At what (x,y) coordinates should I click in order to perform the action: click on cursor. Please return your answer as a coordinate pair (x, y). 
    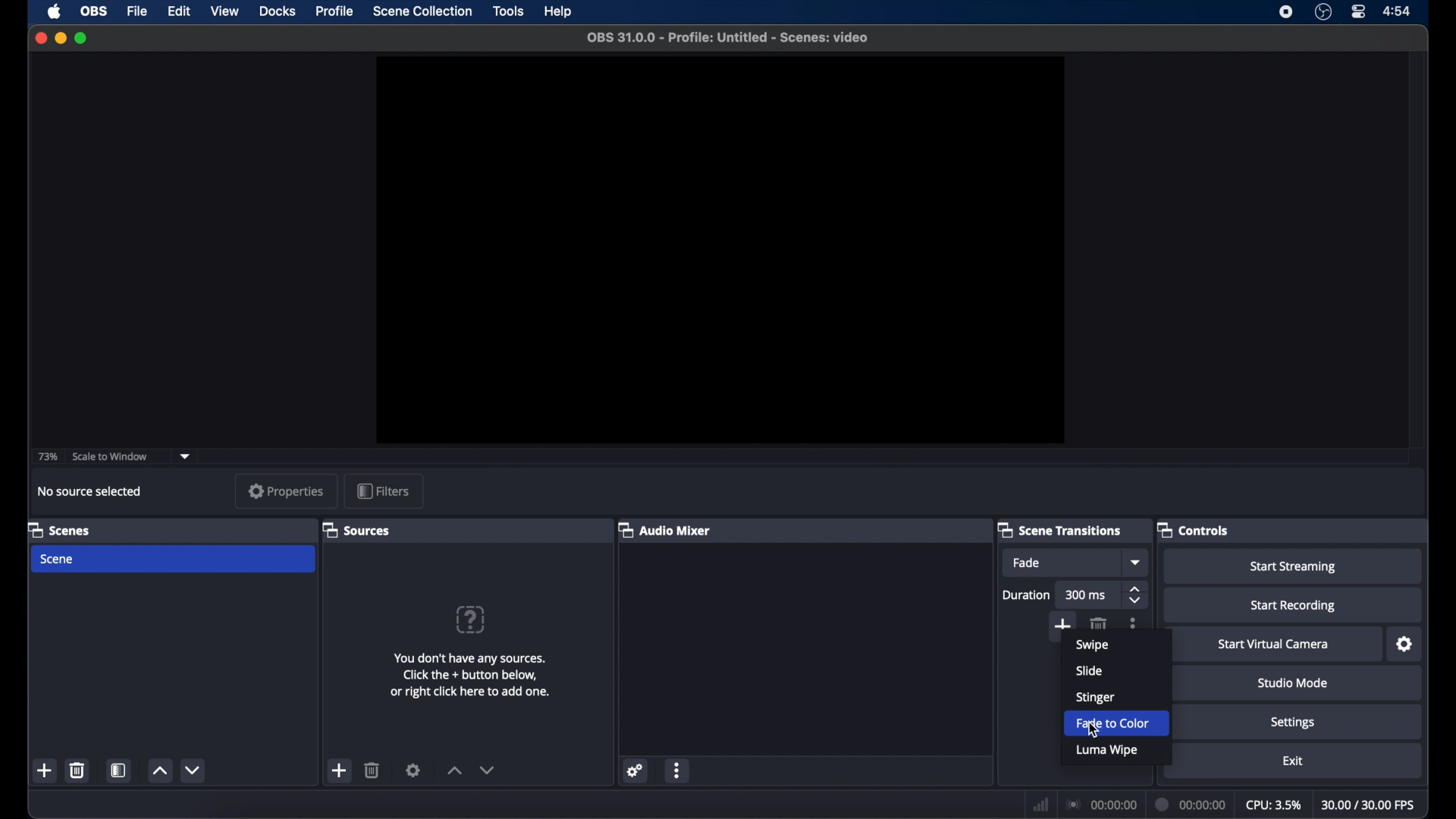
    Looking at the image, I should click on (1090, 730).